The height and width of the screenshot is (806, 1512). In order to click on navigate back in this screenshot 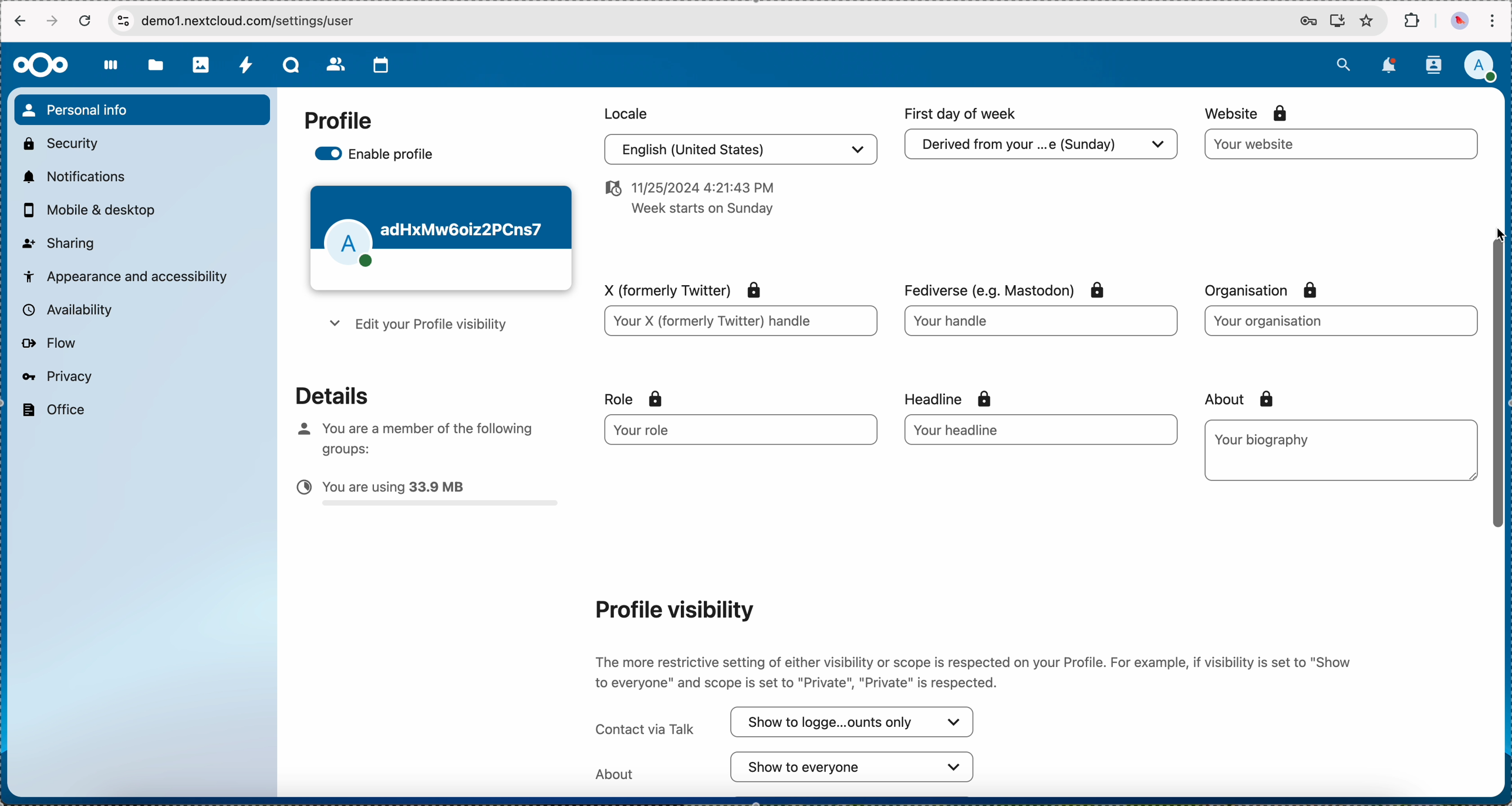, I will do `click(18, 23)`.